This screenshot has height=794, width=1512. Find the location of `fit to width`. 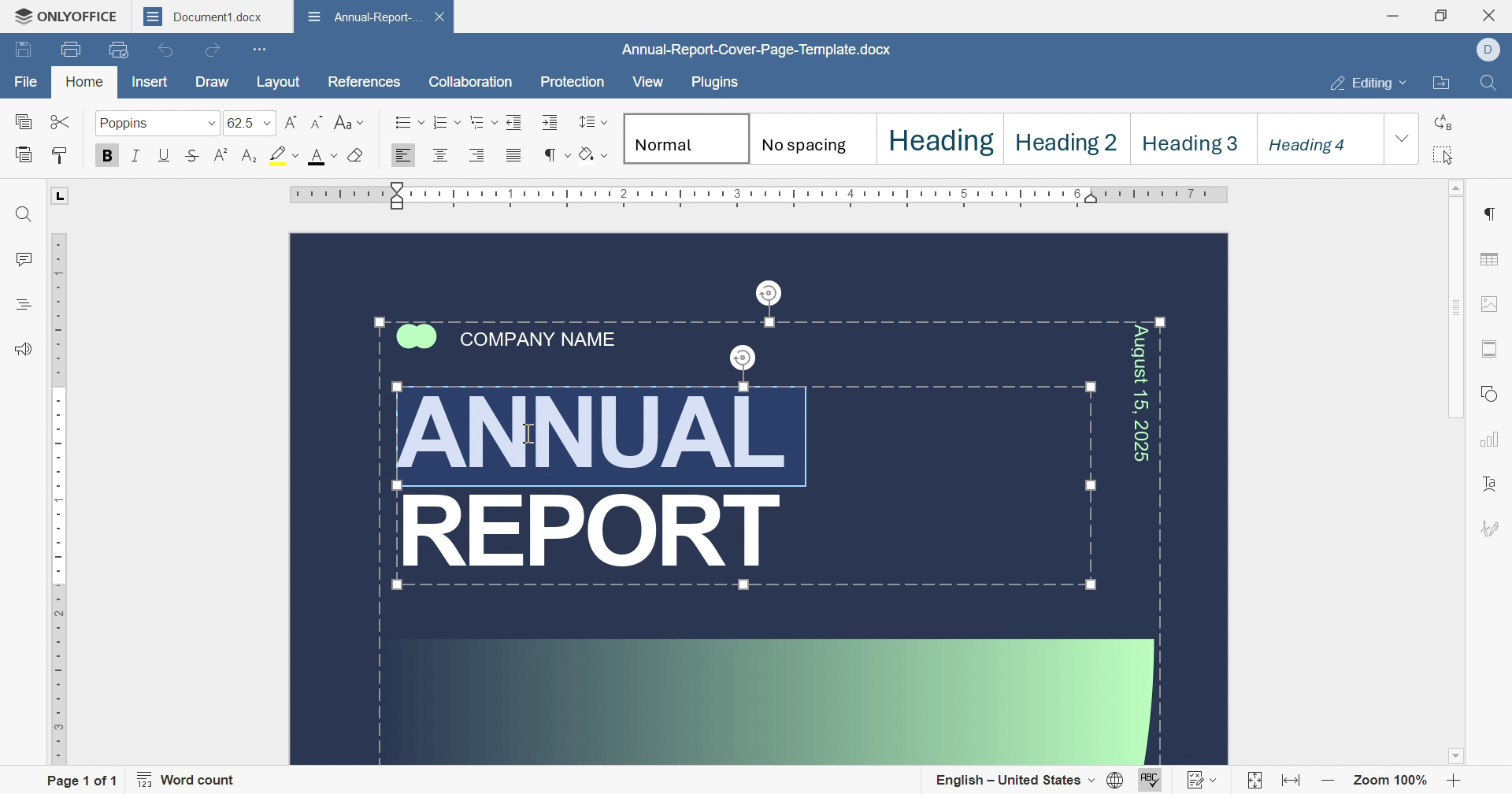

fit to width is located at coordinates (1294, 783).